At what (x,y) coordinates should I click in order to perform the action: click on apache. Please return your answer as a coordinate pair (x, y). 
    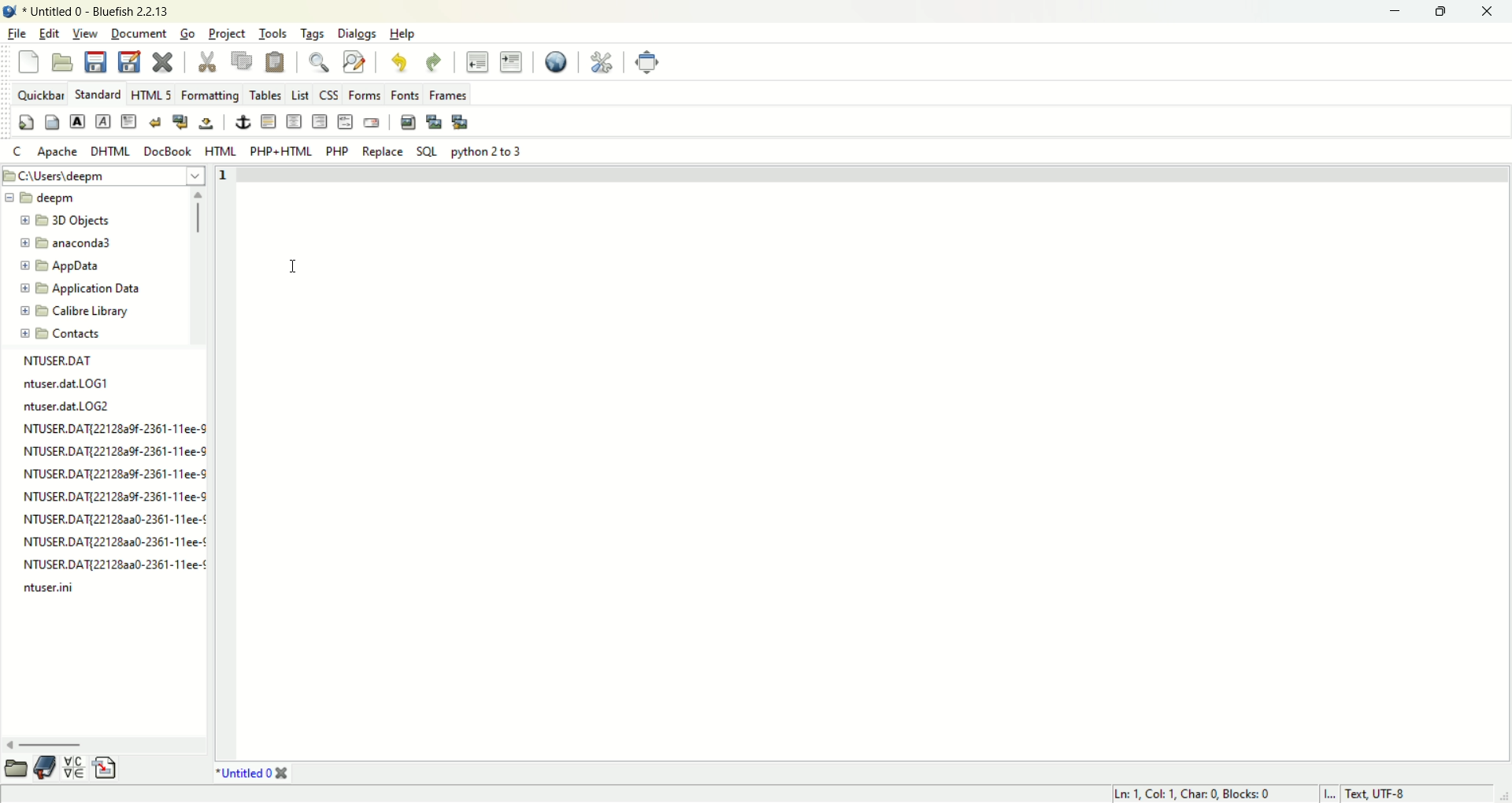
    Looking at the image, I should click on (59, 152).